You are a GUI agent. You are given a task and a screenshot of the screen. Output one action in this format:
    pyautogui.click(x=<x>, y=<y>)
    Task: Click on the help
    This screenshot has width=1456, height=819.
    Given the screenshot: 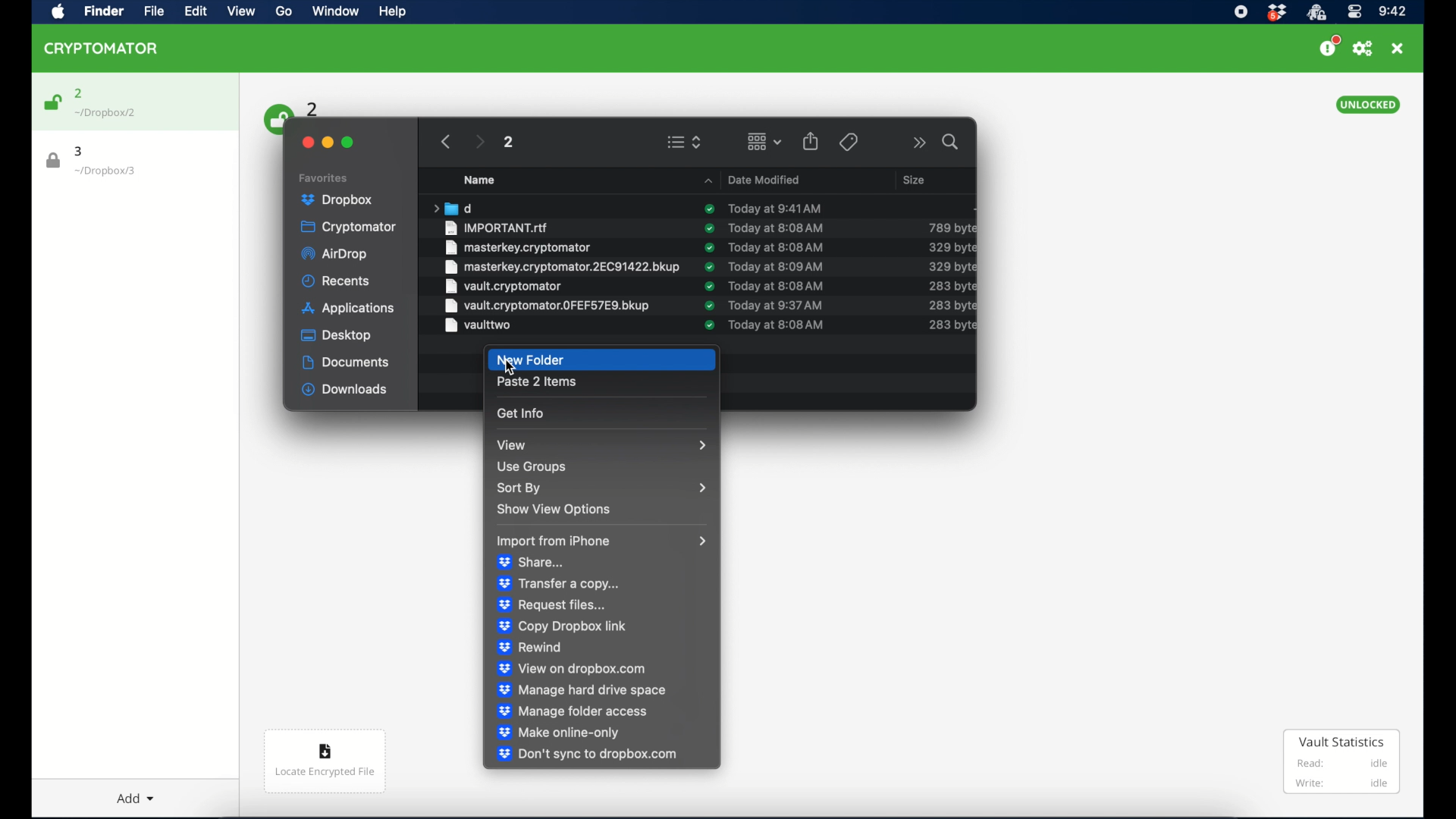 What is the action you would take?
    pyautogui.click(x=391, y=11)
    